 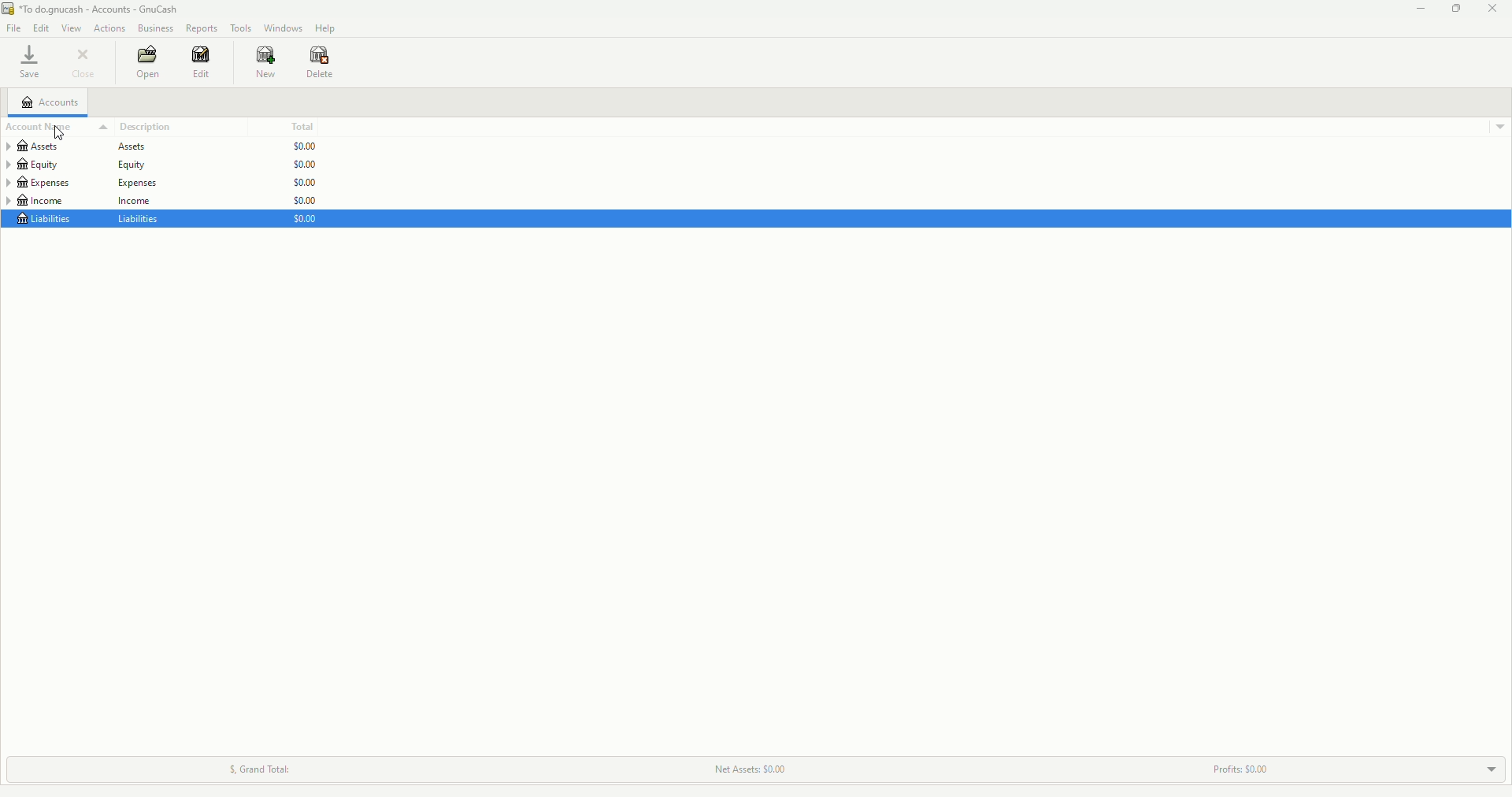 What do you see at coordinates (240, 27) in the screenshot?
I see `Tools` at bounding box center [240, 27].